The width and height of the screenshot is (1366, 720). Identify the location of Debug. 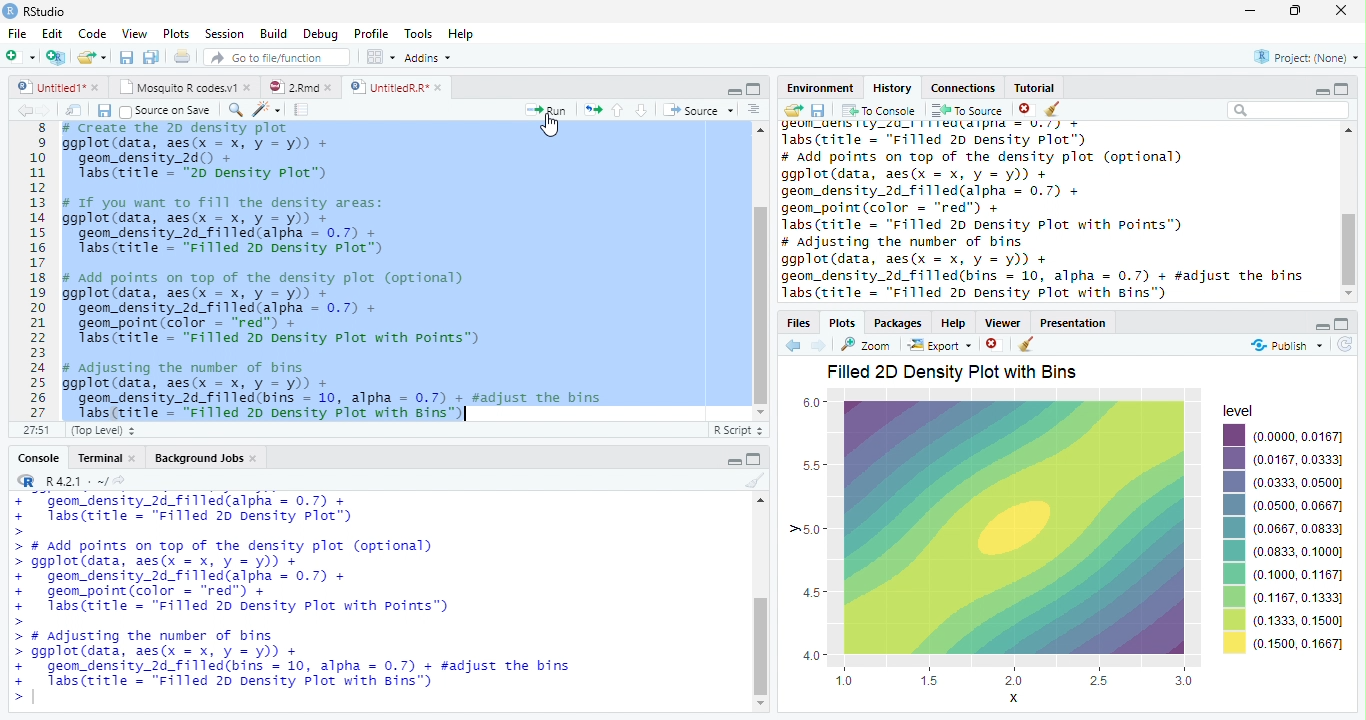
(321, 35).